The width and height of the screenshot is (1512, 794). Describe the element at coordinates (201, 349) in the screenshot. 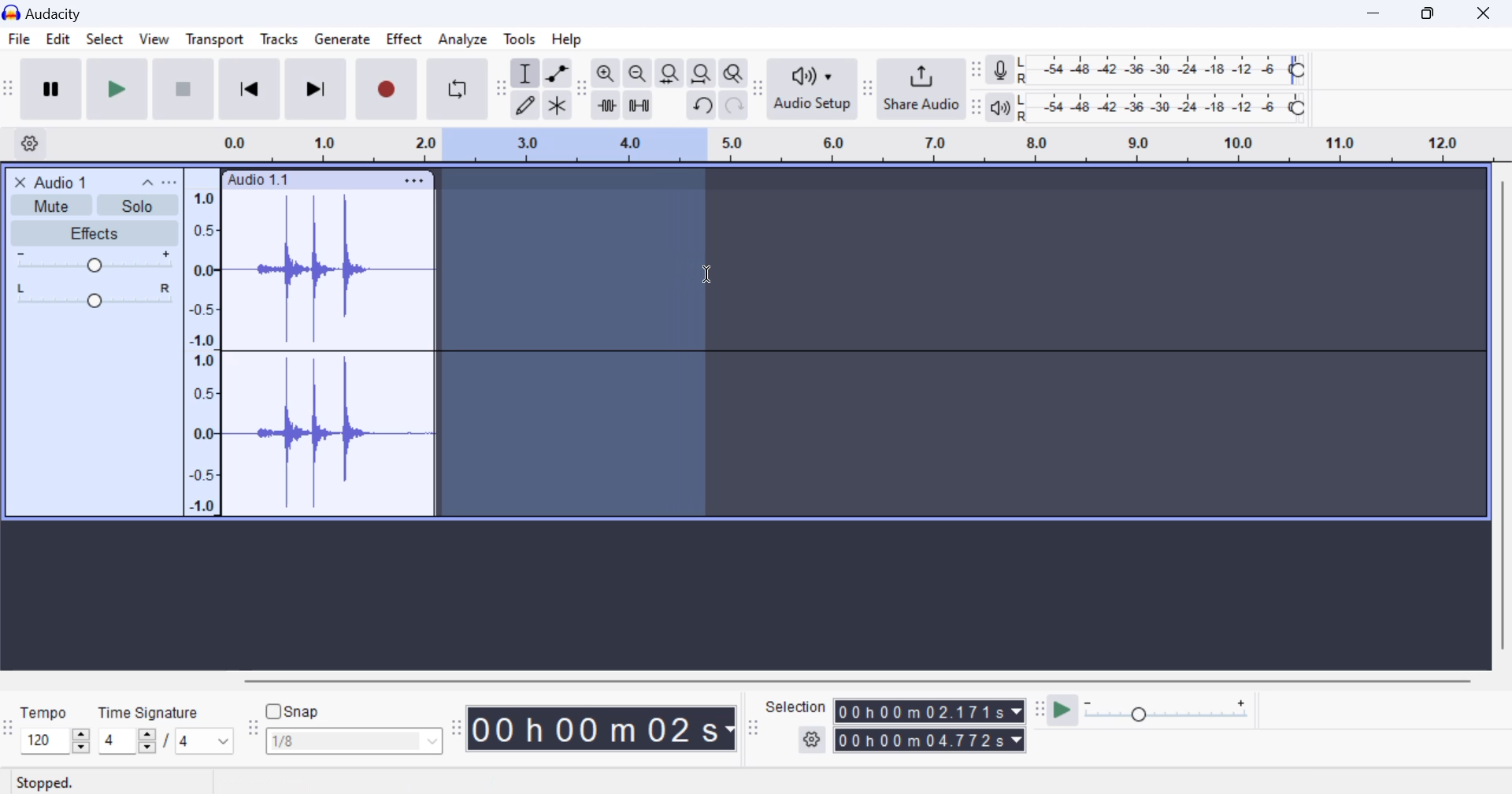

I see `Scale to measure intensity of waves in track` at that location.